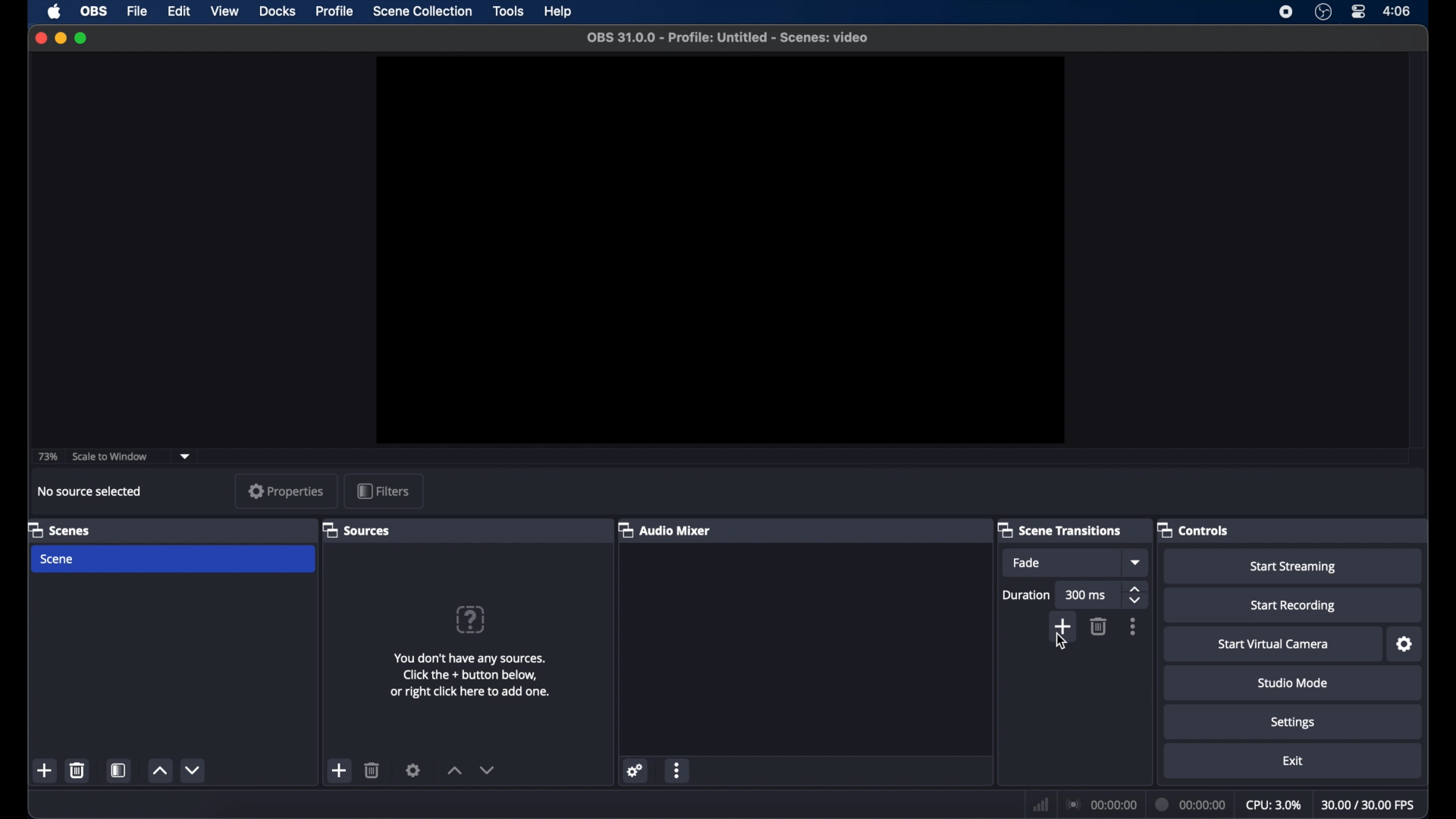 This screenshot has width=1456, height=819. Describe the element at coordinates (58, 558) in the screenshot. I see `scene` at that location.